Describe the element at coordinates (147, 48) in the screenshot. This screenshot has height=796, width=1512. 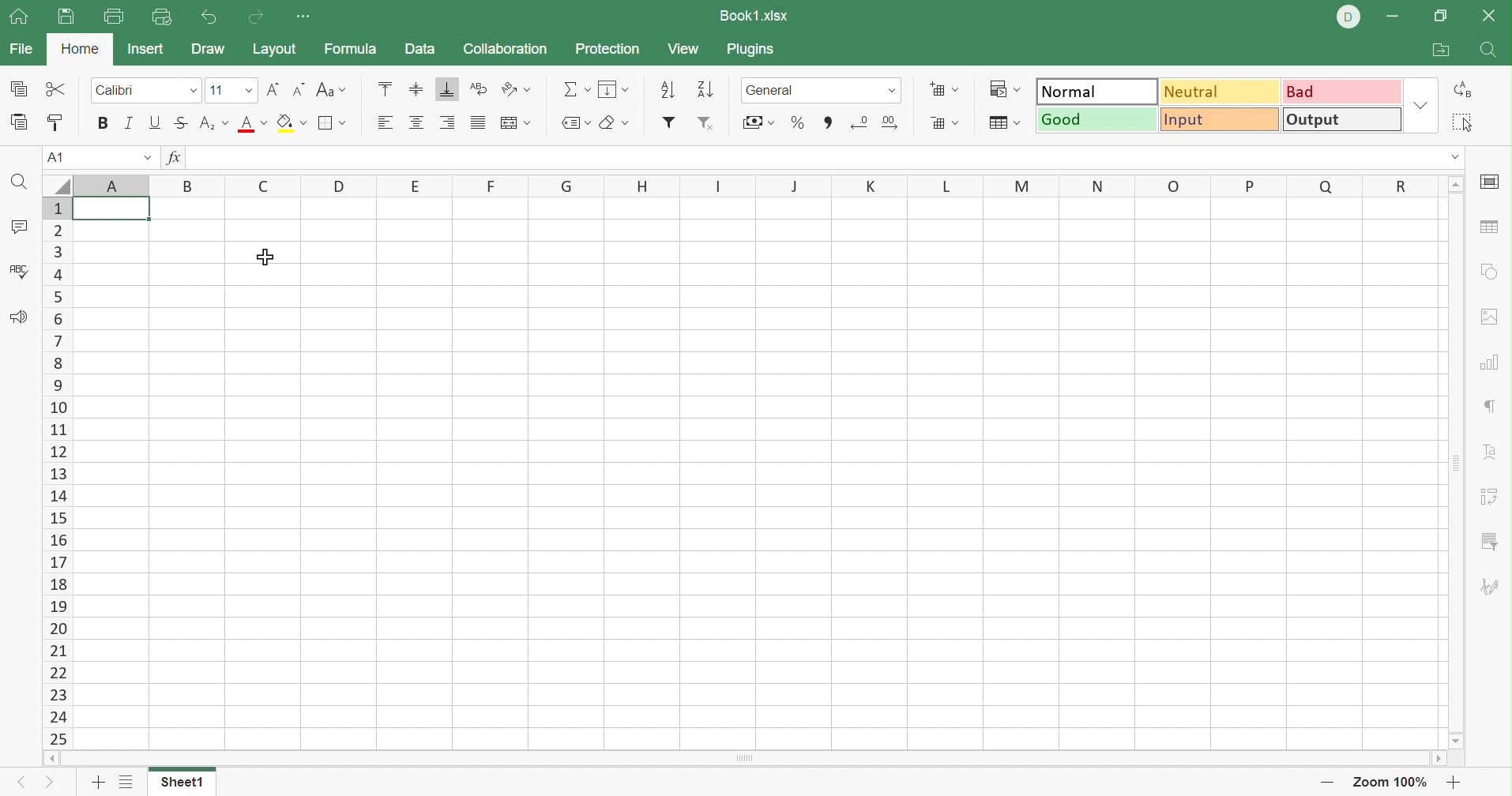
I see `Insert` at that location.